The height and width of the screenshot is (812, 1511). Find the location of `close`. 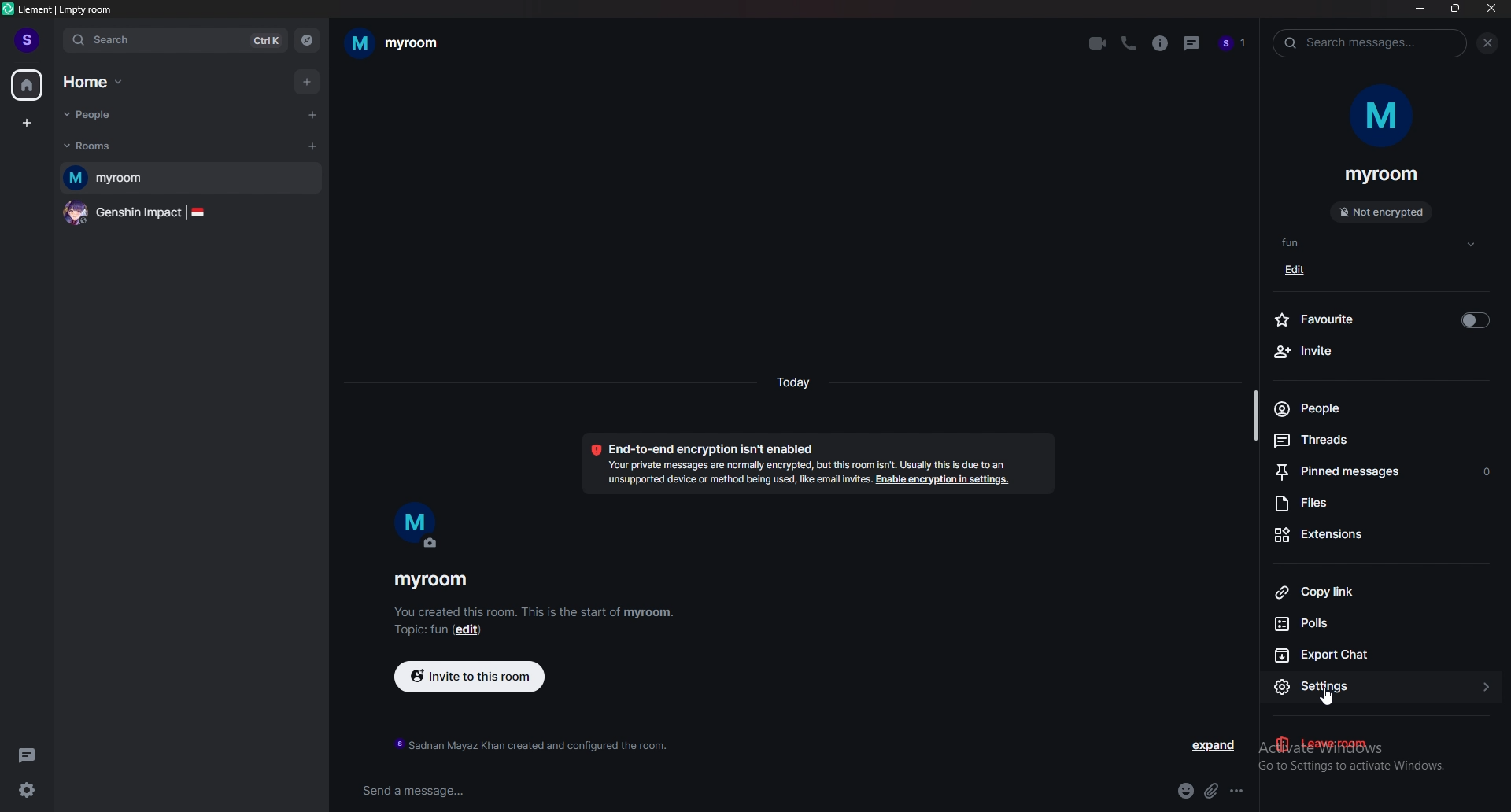

close is located at coordinates (1489, 43).